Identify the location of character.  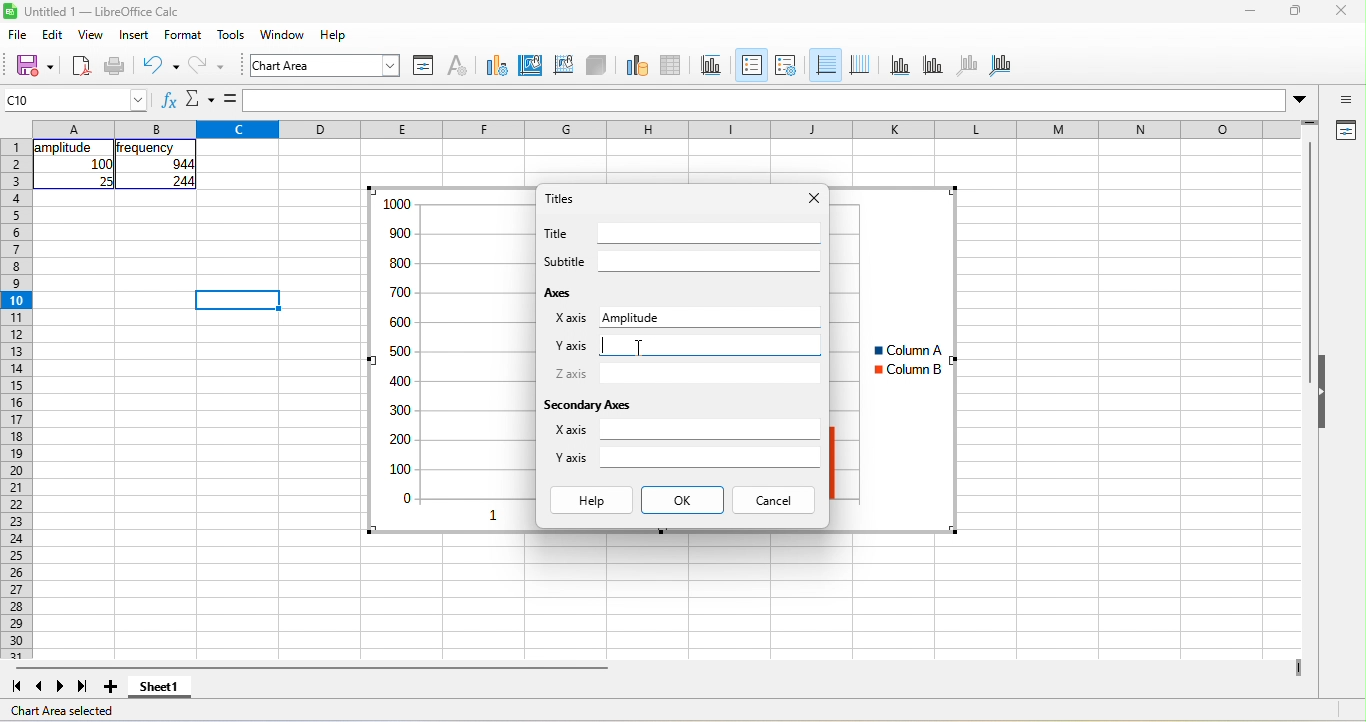
(458, 66).